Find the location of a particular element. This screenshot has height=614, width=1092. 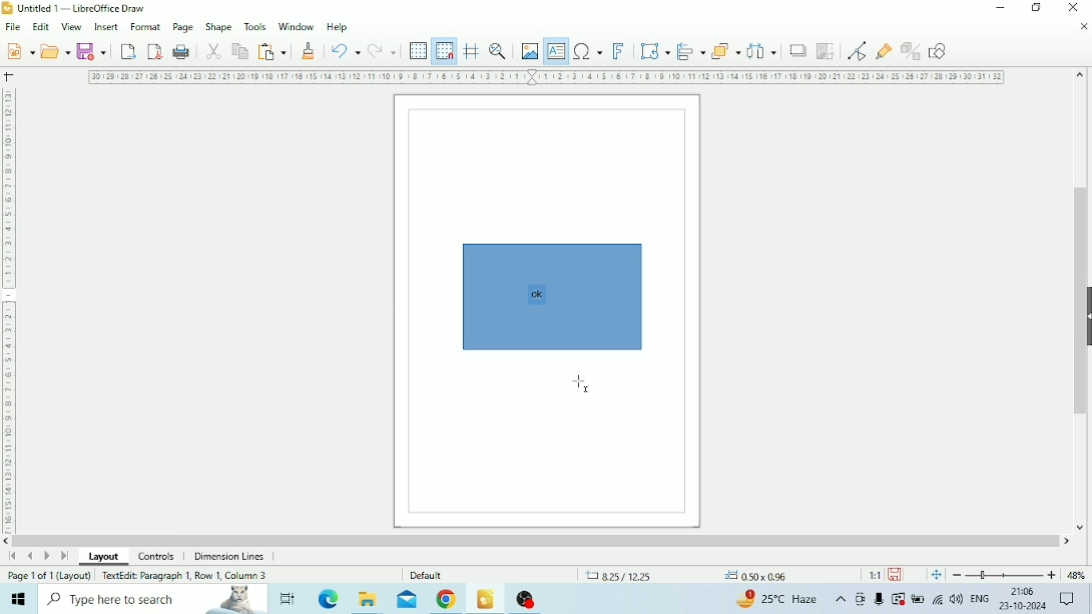

Time is located at coordinates (1022, 591).